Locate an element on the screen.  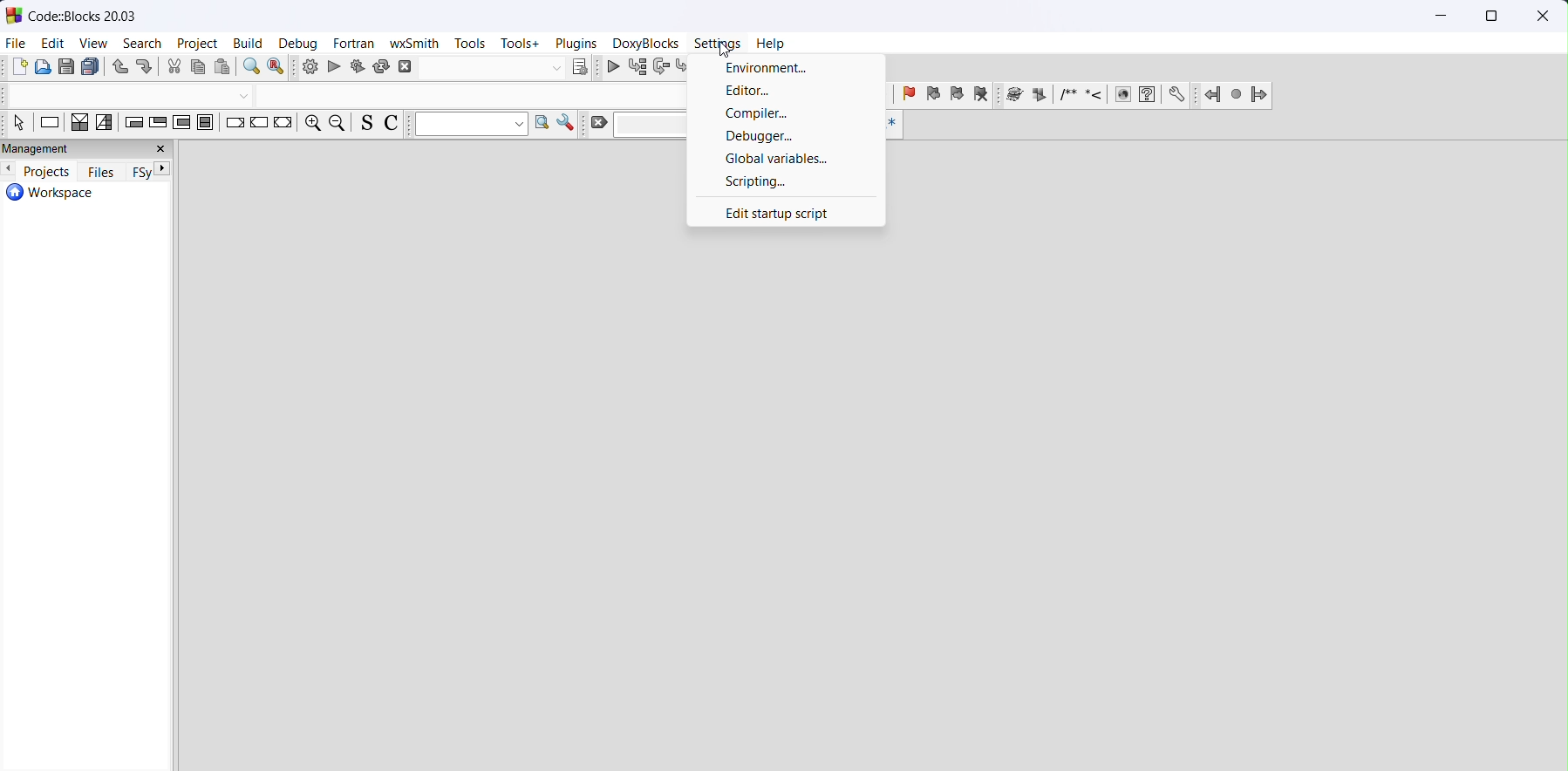
search is located at coordinates (143, 44).